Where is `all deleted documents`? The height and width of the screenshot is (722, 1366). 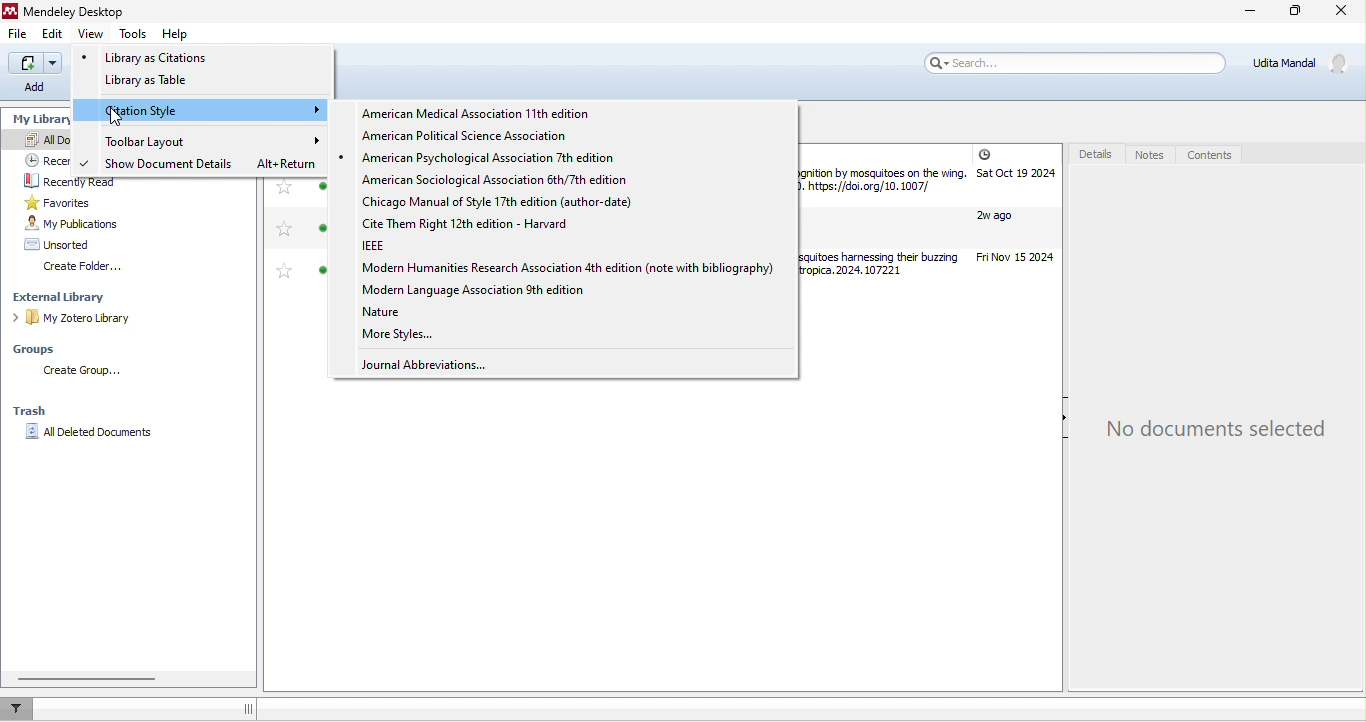
all deleted documents is located at coordinates (93, 437).